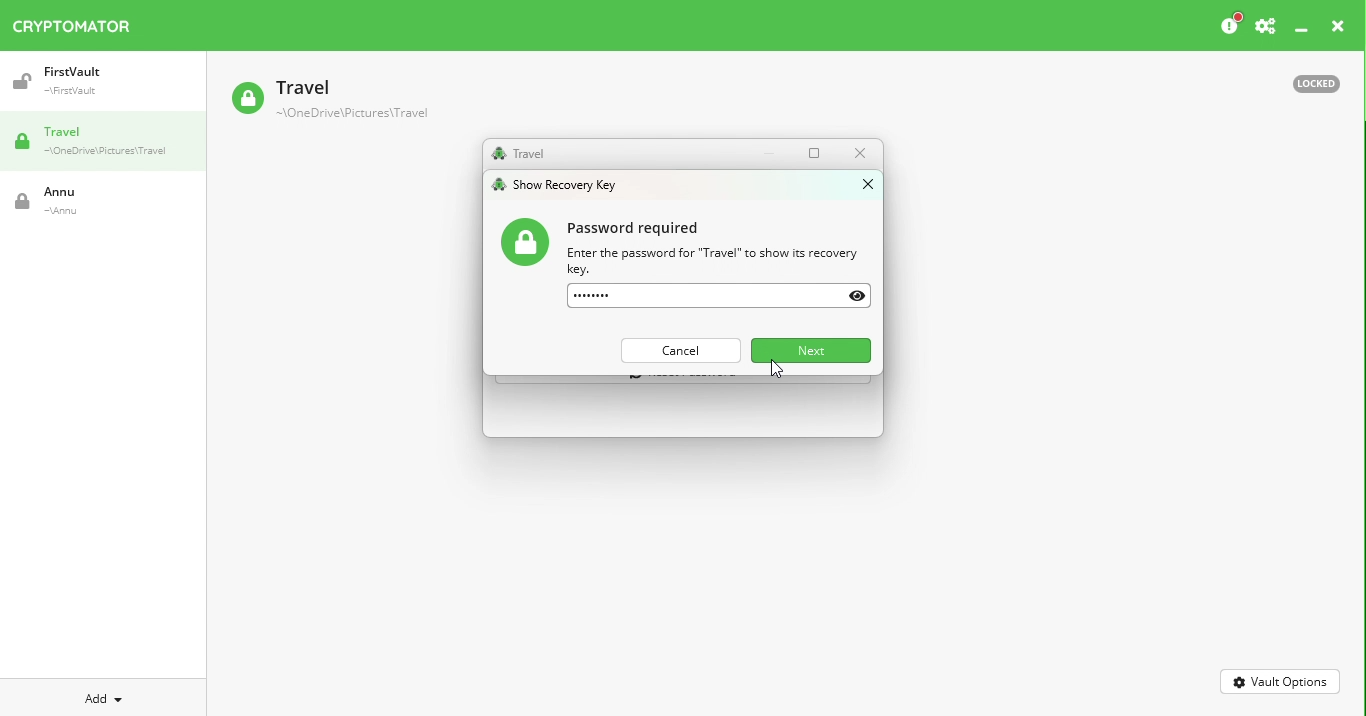  Describe the element at coordinates (93, 81) in the screenshot. I see `Vault` at that location.